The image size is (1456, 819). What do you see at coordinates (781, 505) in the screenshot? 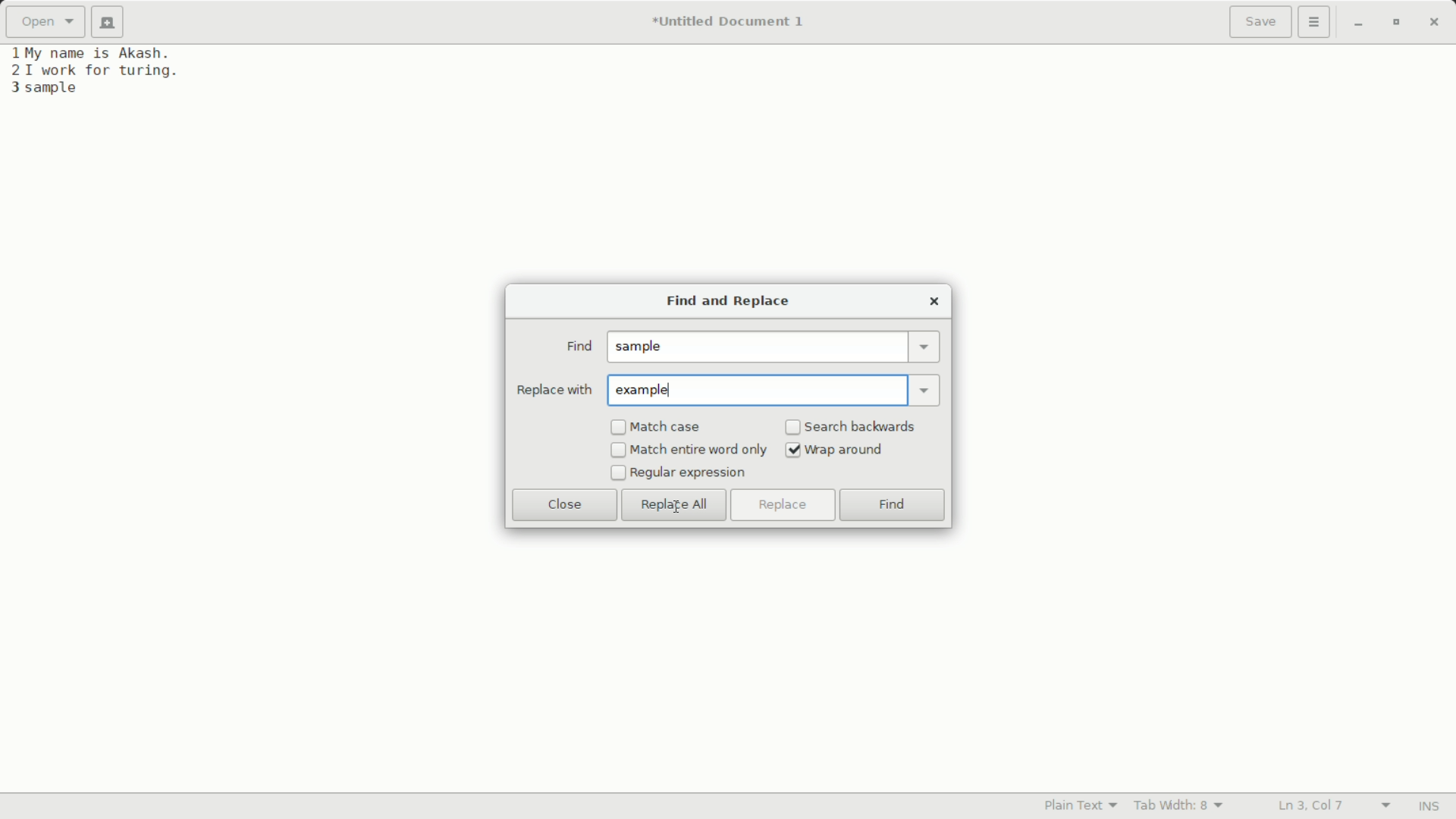
I see `replace` at bounding box center [781, 505].